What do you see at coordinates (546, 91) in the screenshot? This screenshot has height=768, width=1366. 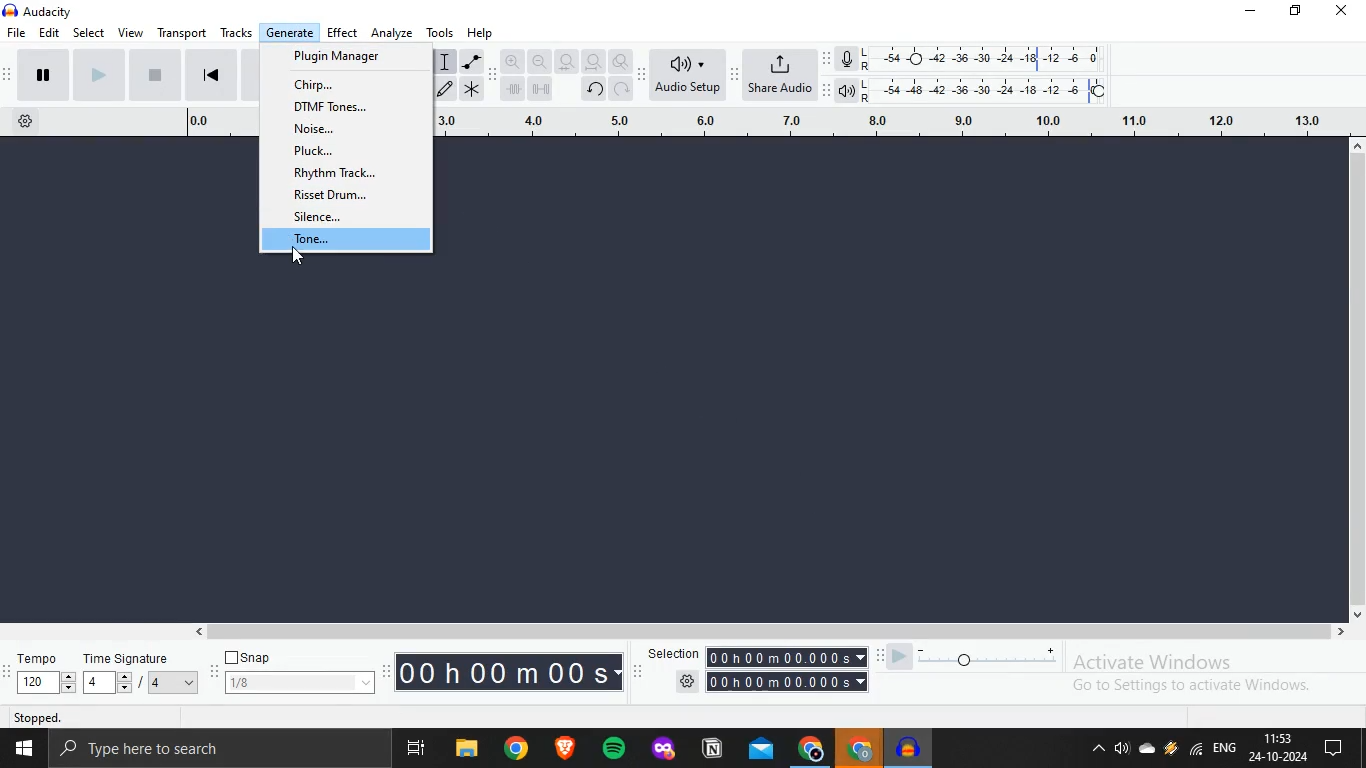 I see `Multi time shift` at bounding box center [546, 91].